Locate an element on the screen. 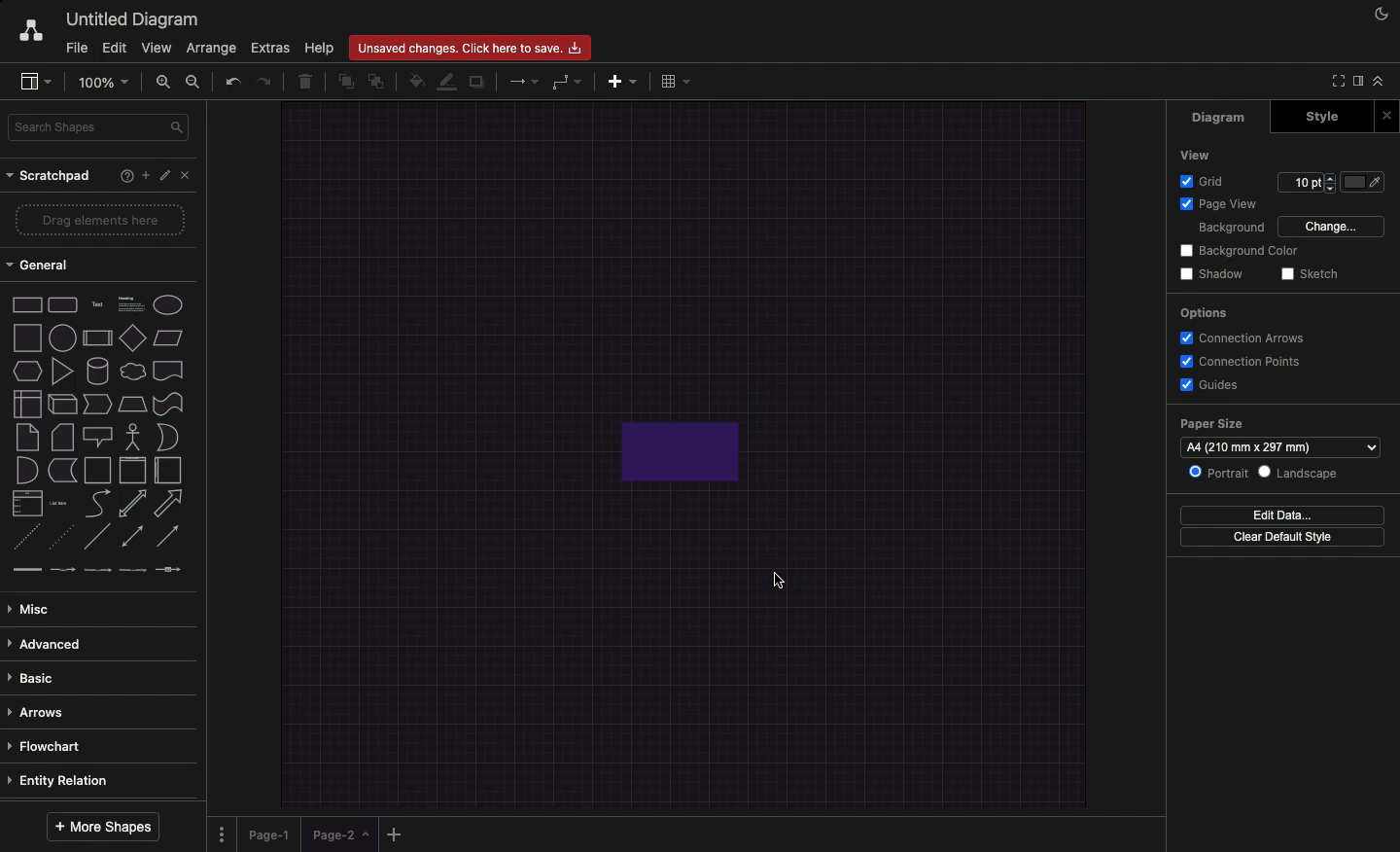  General is located at coordinates (40, 267).